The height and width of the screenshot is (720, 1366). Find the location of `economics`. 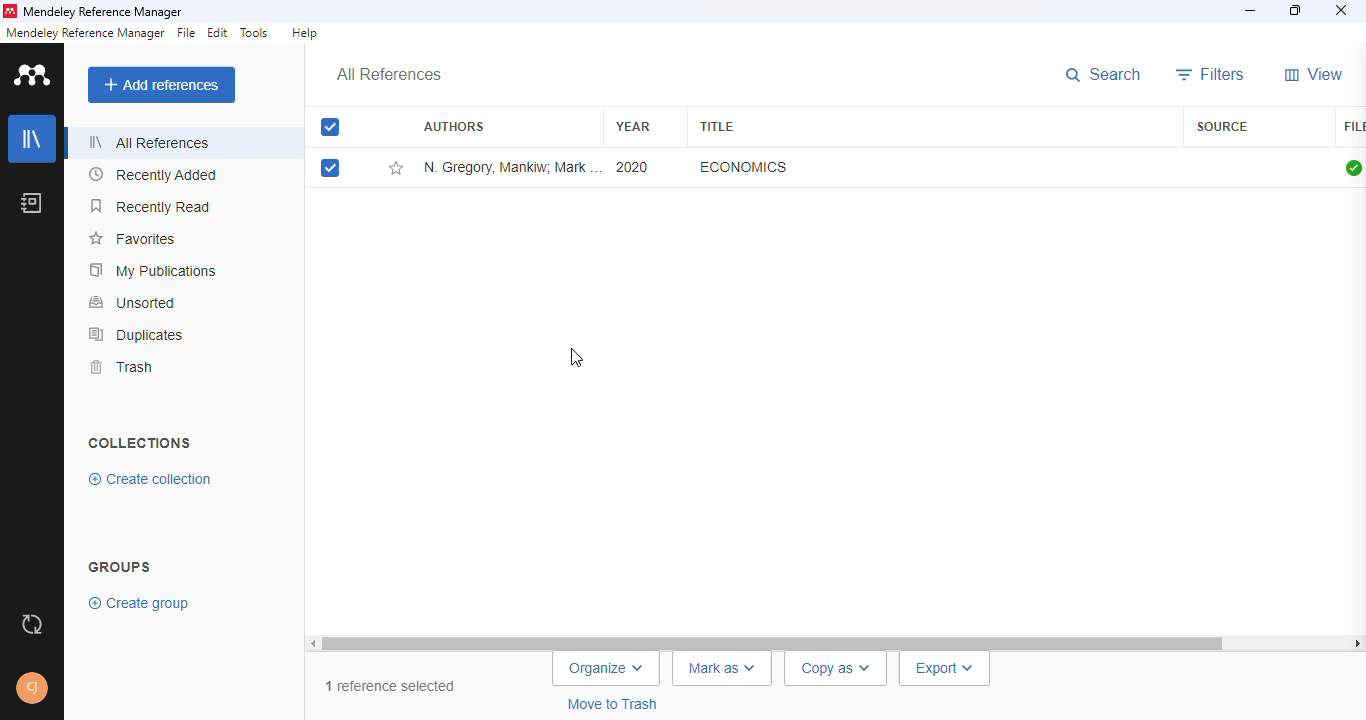

economics is located at coordinates (743, 167).